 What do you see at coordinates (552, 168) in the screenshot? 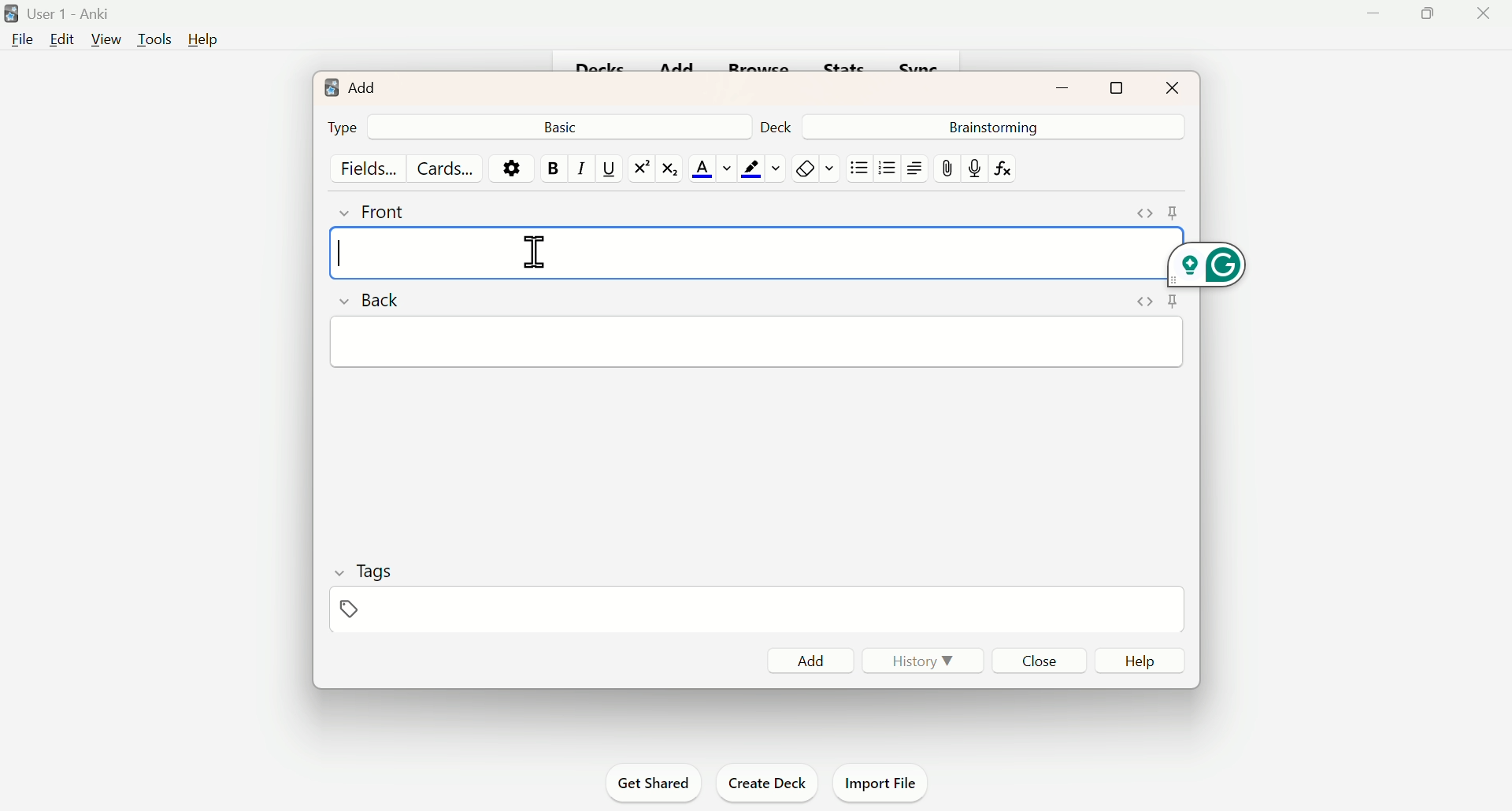
I see `Bold` at bounding box center [552, 168].